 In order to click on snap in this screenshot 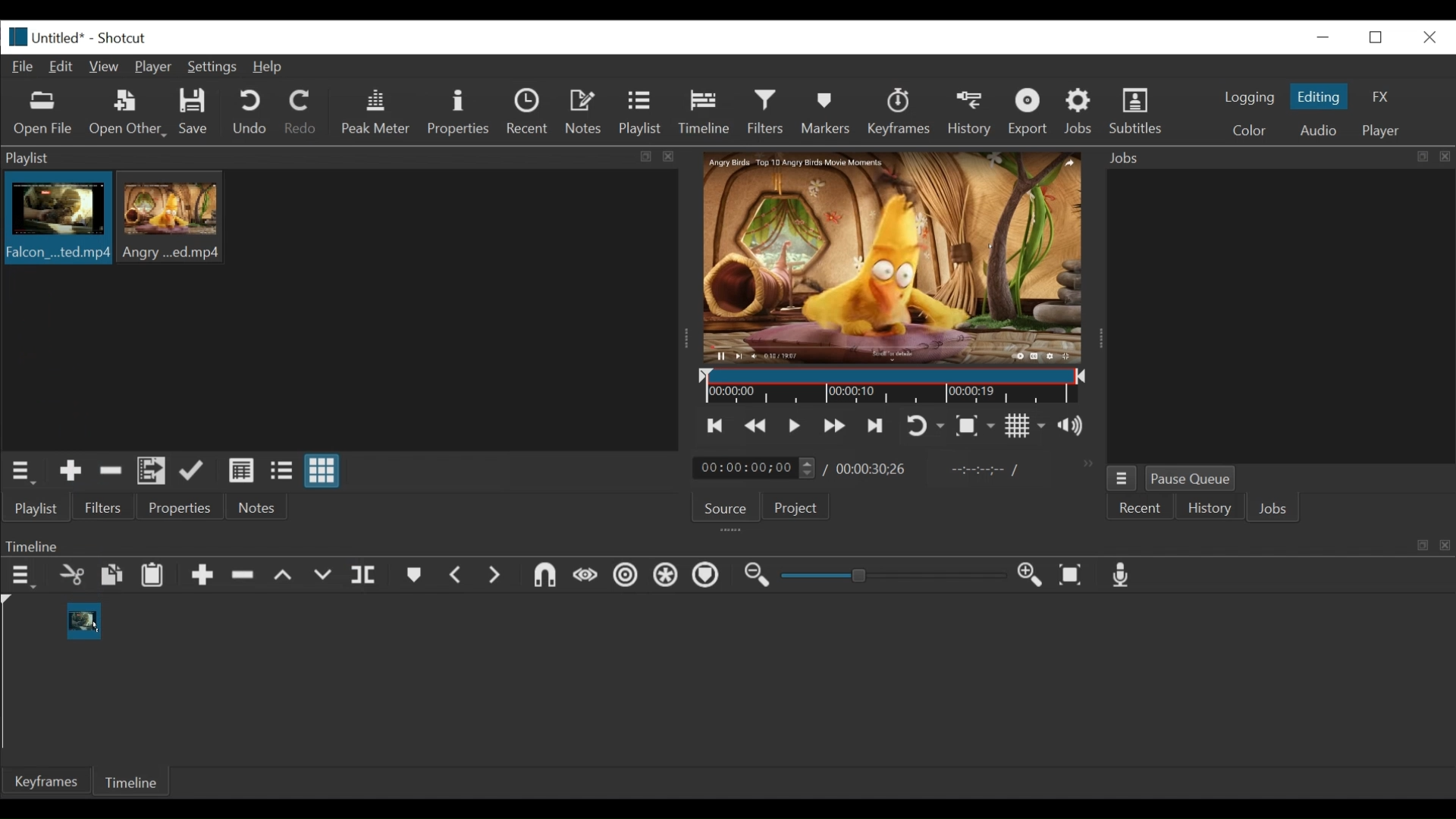, I will do `click(547, 577)`.